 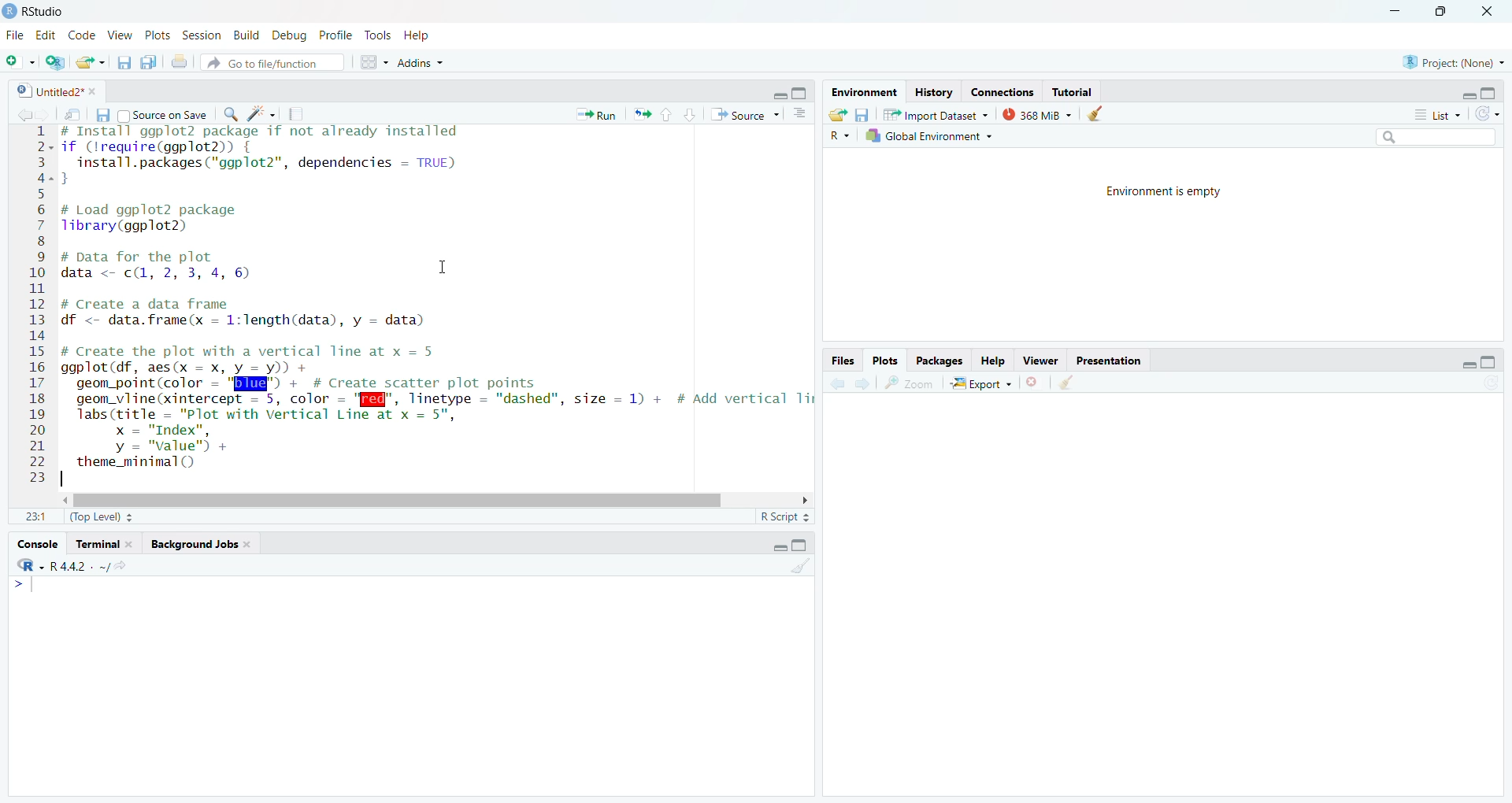 I want to click on minimise, so click(x=1466, y=92).